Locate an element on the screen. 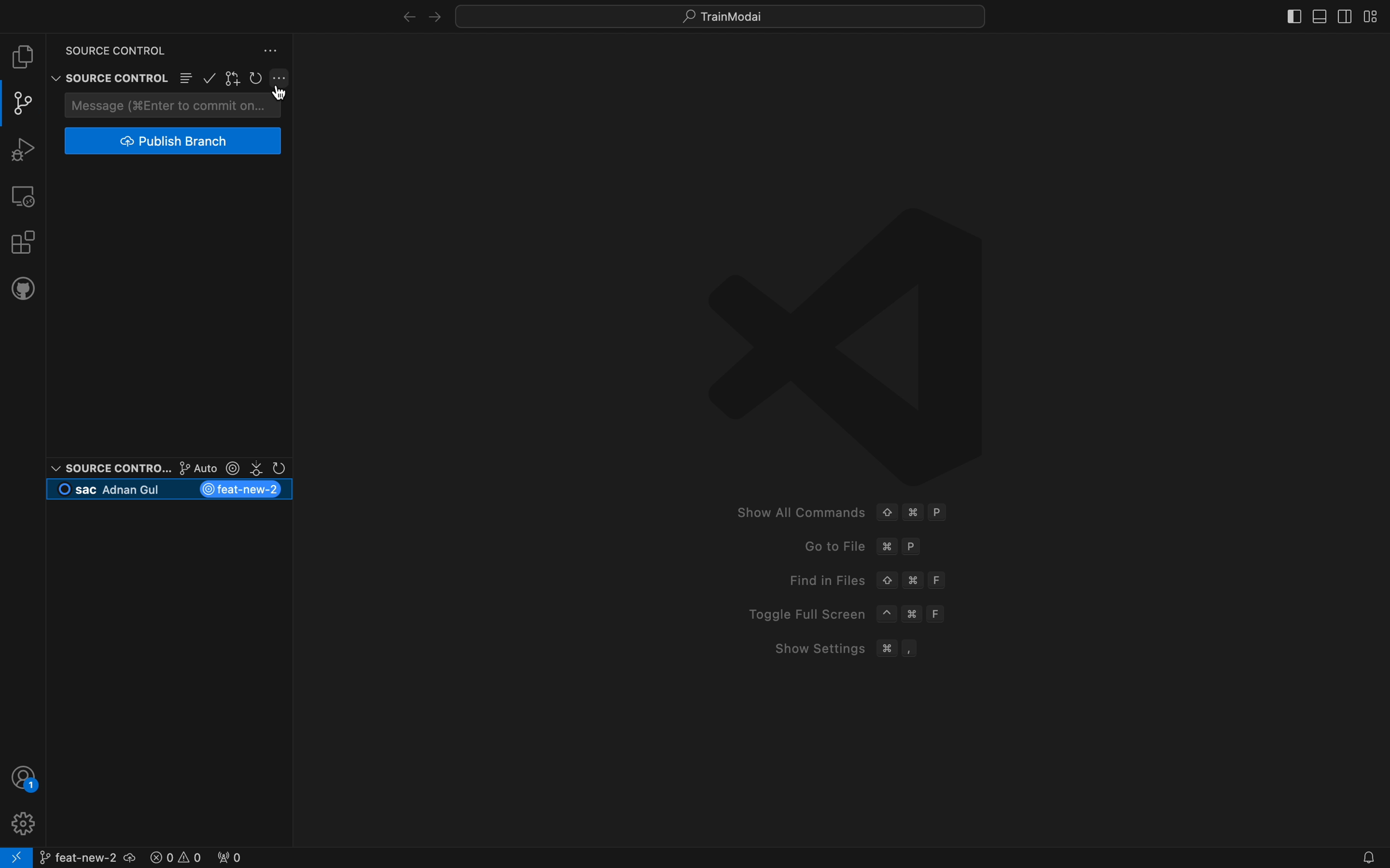 This screenshot has height=868, width=1390. Find in Files is located at coordinates (817, 580).